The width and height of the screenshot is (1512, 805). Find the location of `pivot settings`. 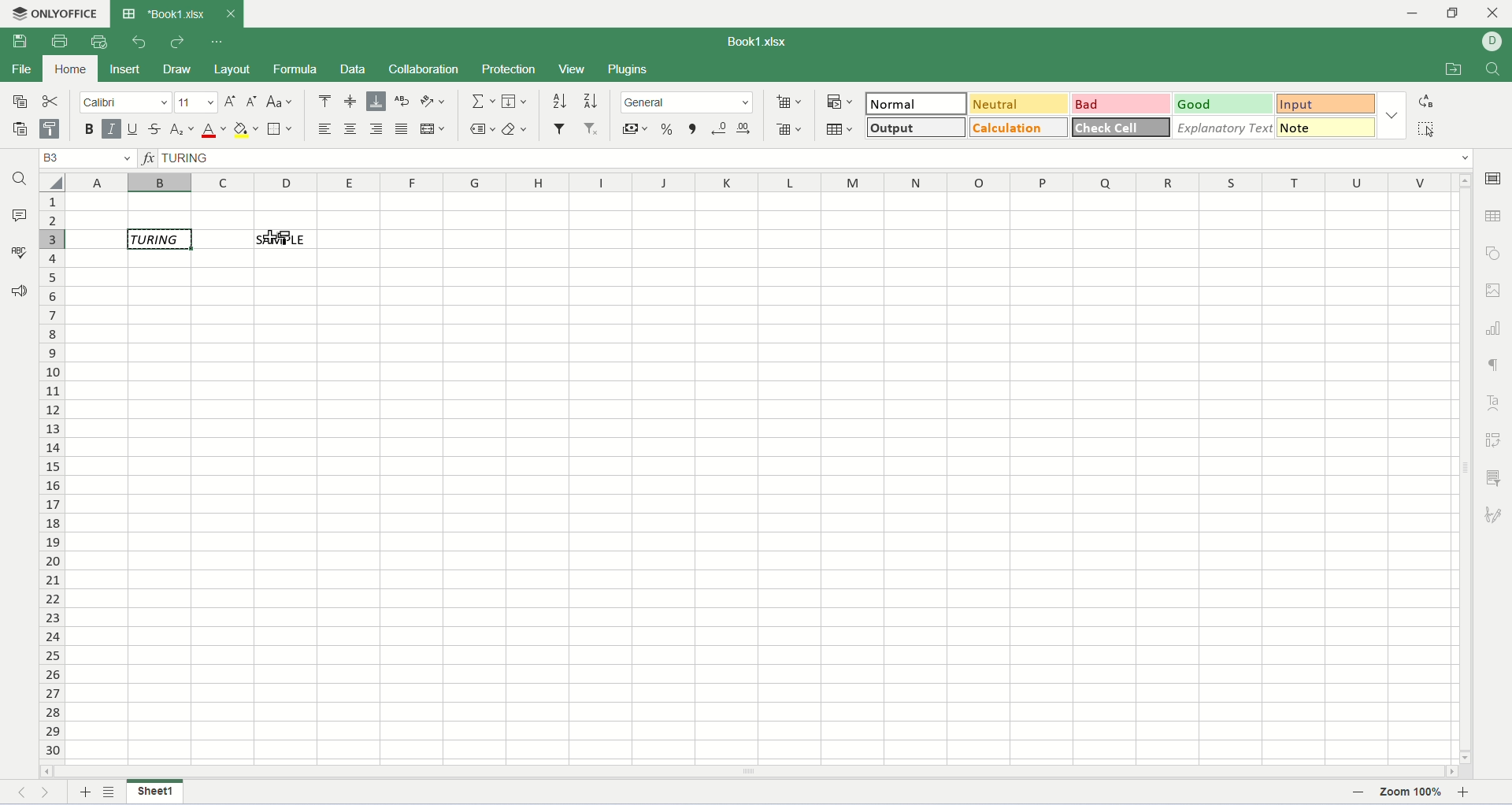

pivot settings is located at coordinates (1496, 440).